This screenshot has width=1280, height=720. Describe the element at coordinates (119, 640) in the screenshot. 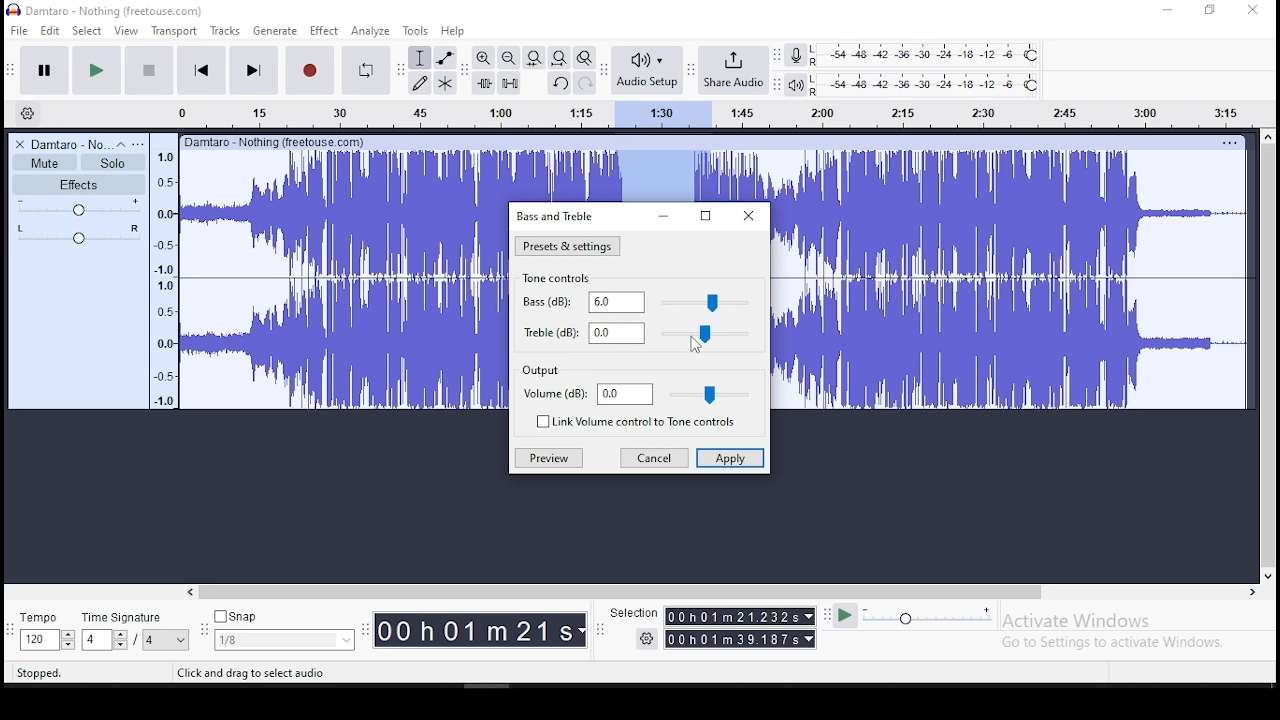

I see `drop down` at that location.